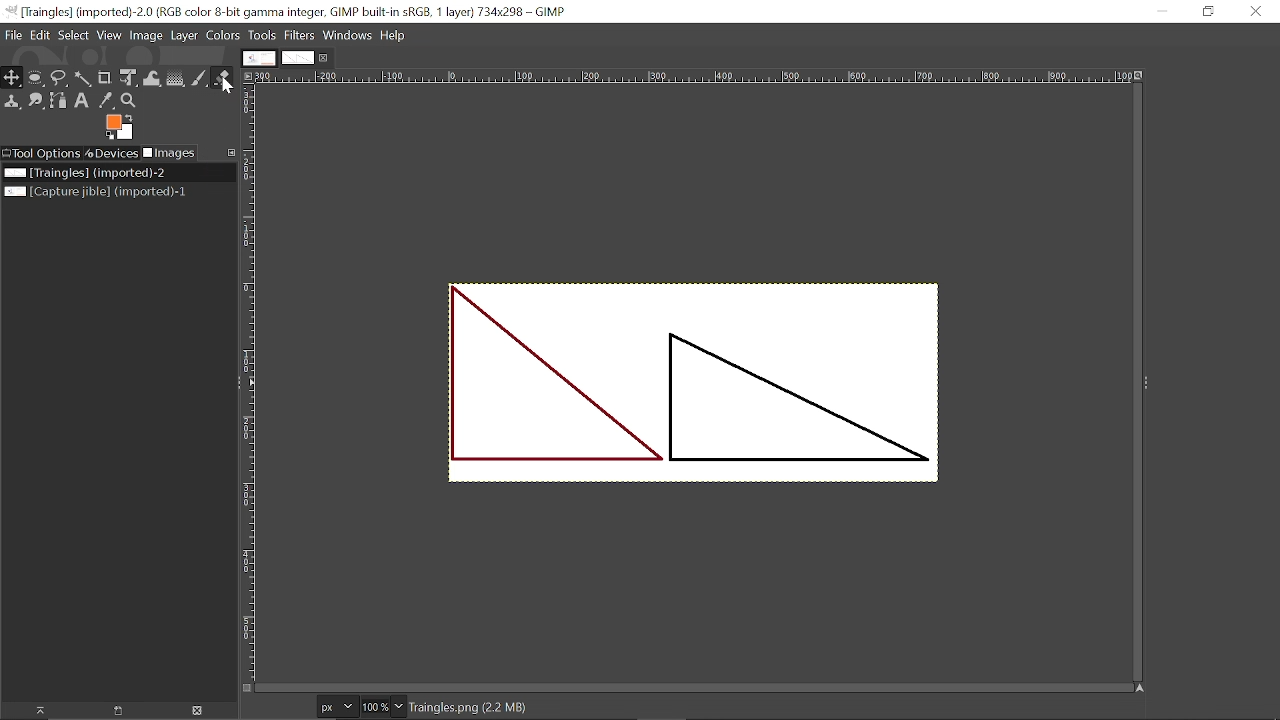 The image size is (1280, 720). What do you see at coordinates (327, 58) in the screenshot?
I see `Close current tab` at bounding box center [327, 58].